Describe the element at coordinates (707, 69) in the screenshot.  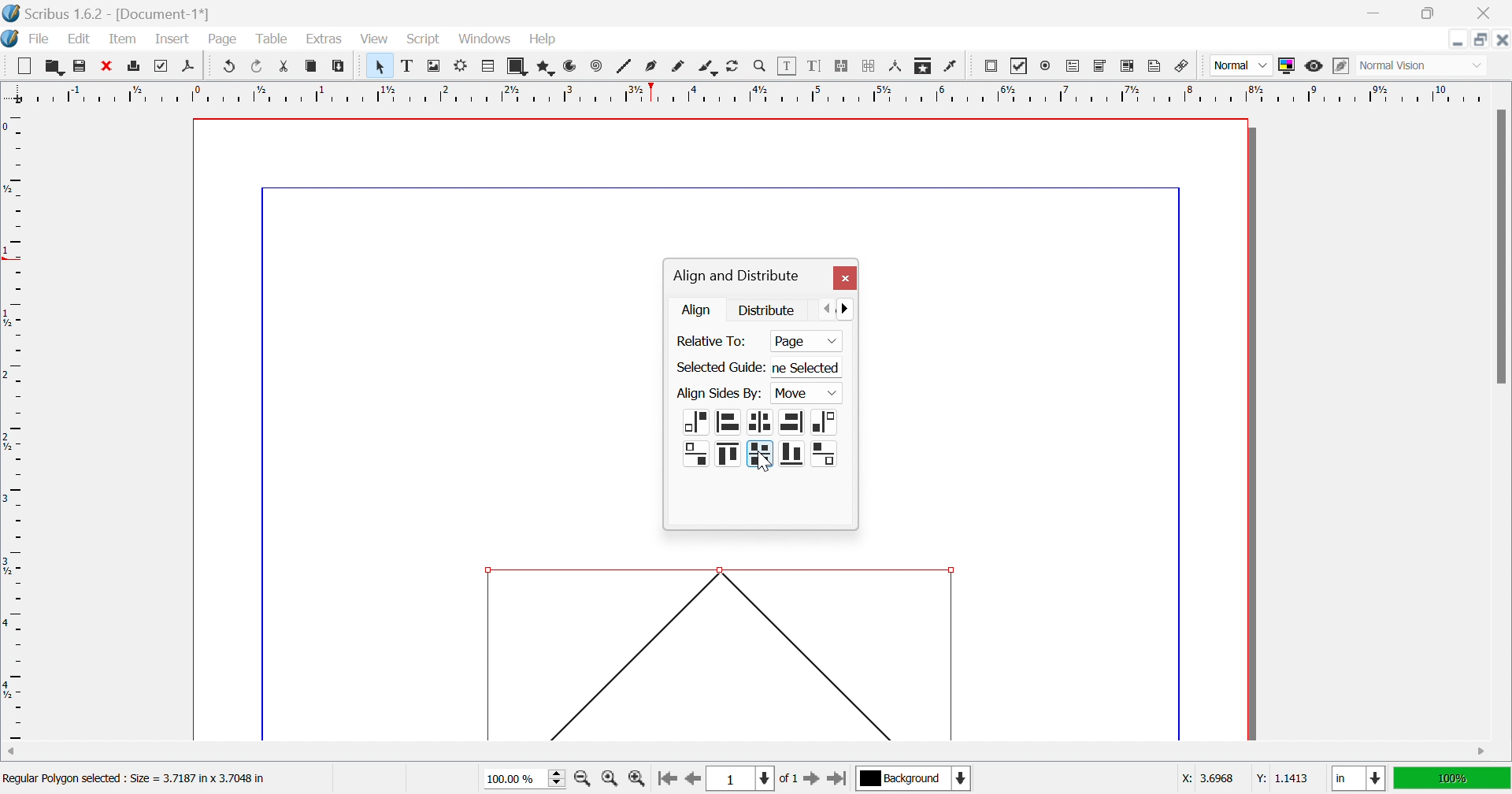
I see `Calligraphic line` at that location.